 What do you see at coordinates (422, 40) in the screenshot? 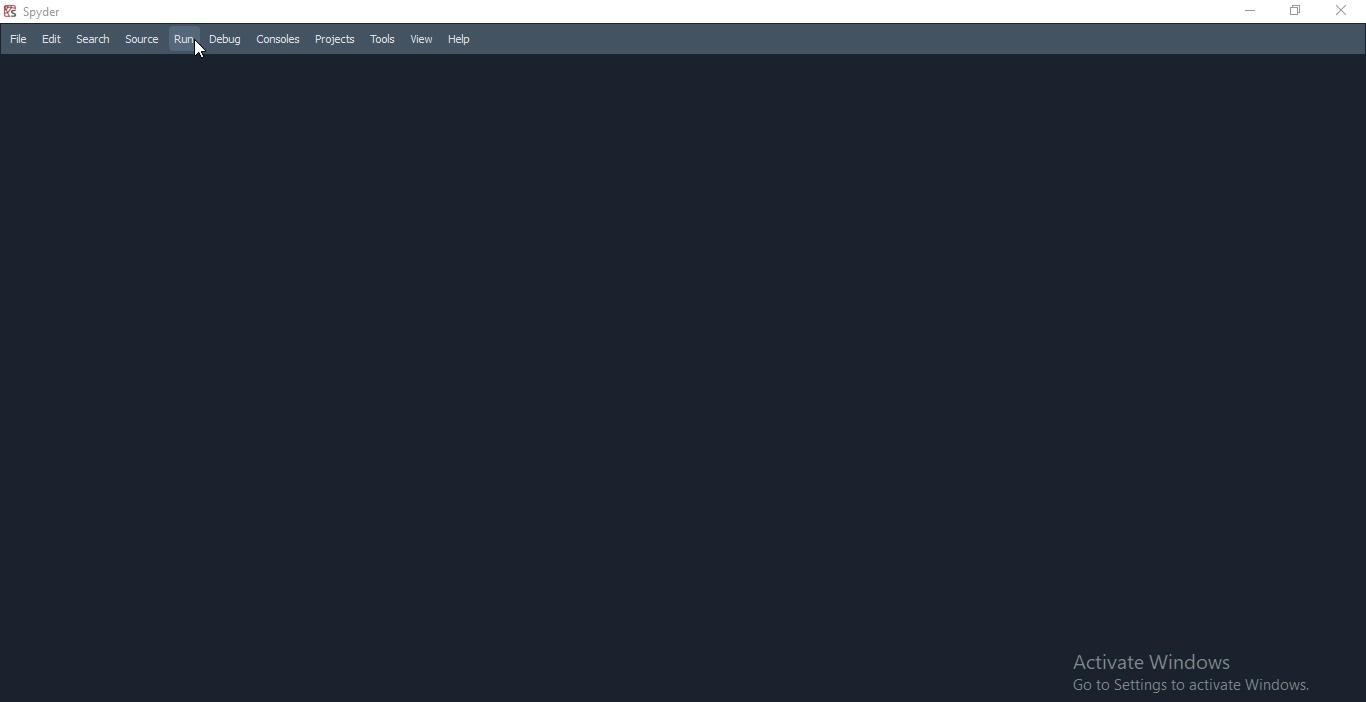
I see `View` at bounding box center [422, 40].